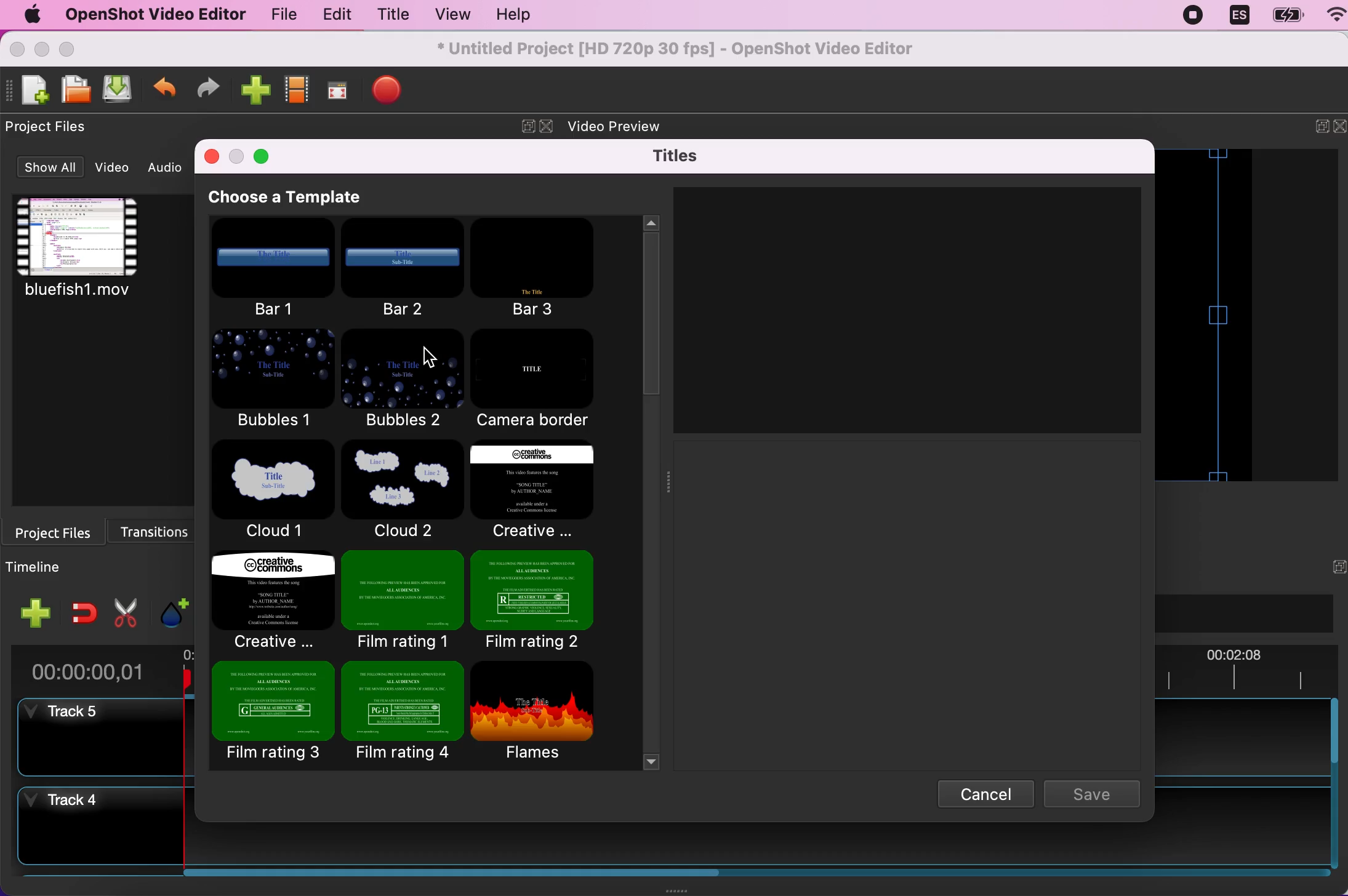 This screenshot has height=896, width=1348. What do you see at coordinates (89, 668) in the screenshot?
I see `00:00:00,01` at bounding box center [89, 668].